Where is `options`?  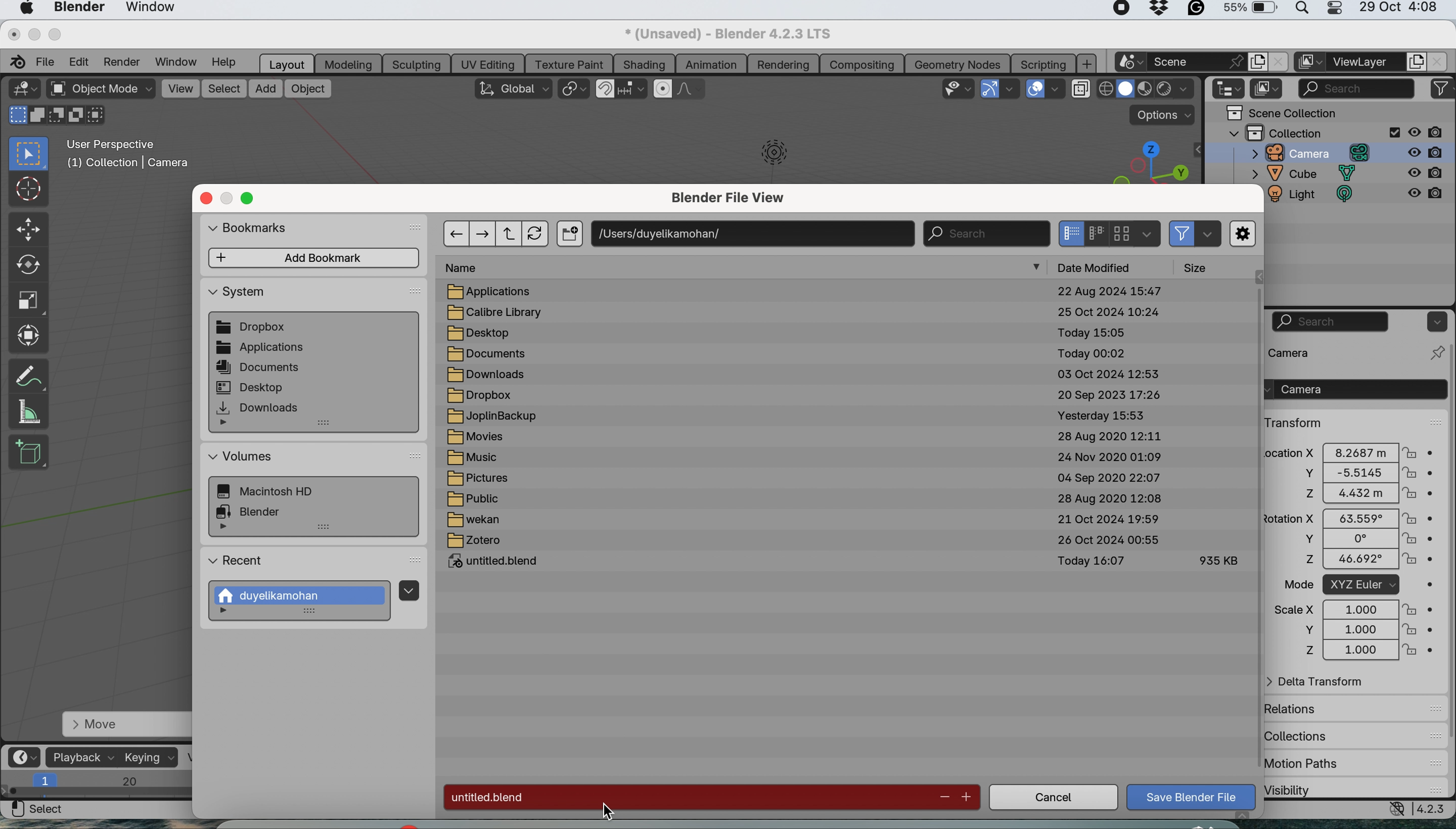
options is located at coordinates (1435, 321).